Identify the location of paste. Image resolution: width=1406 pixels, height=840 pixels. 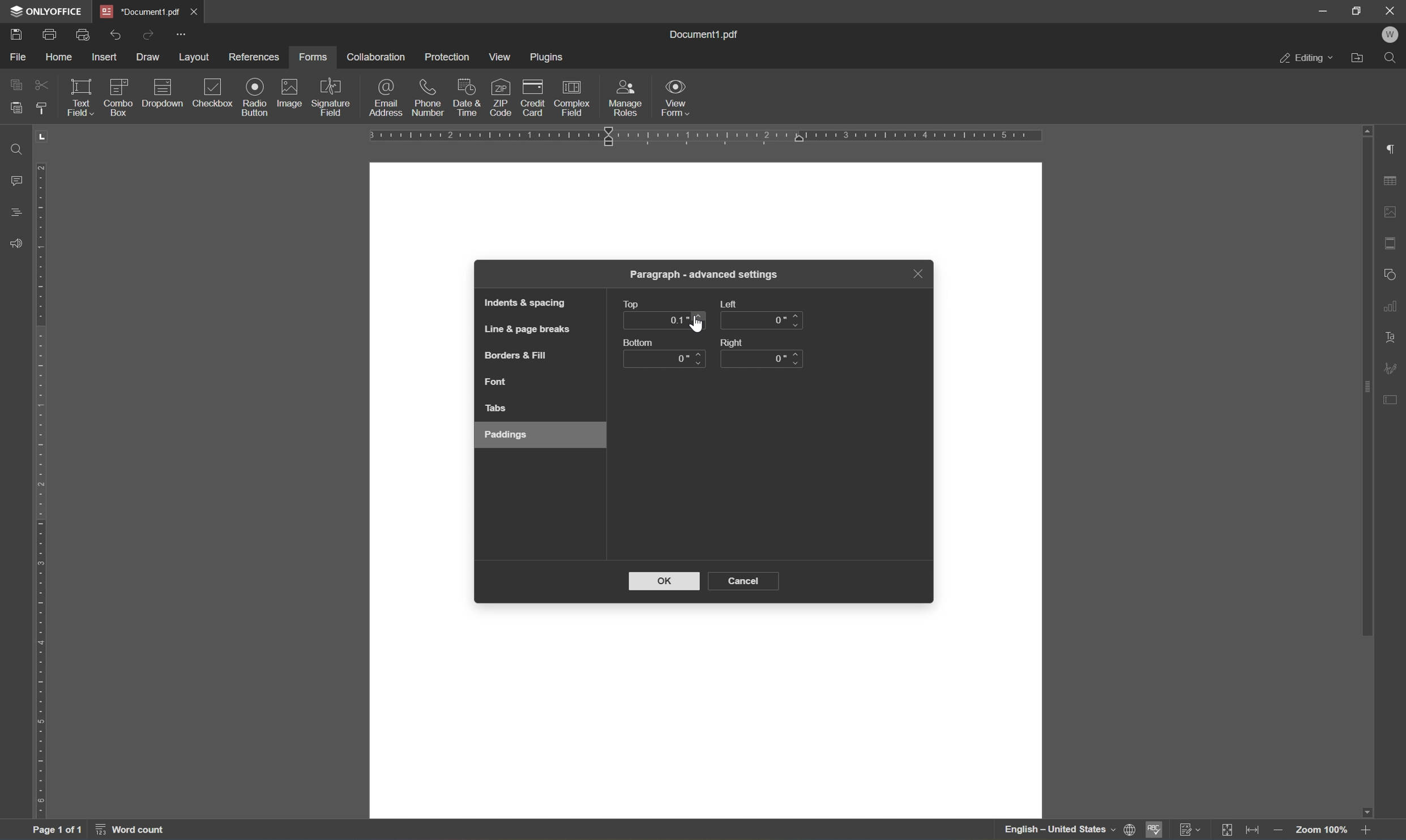
(16, 108).